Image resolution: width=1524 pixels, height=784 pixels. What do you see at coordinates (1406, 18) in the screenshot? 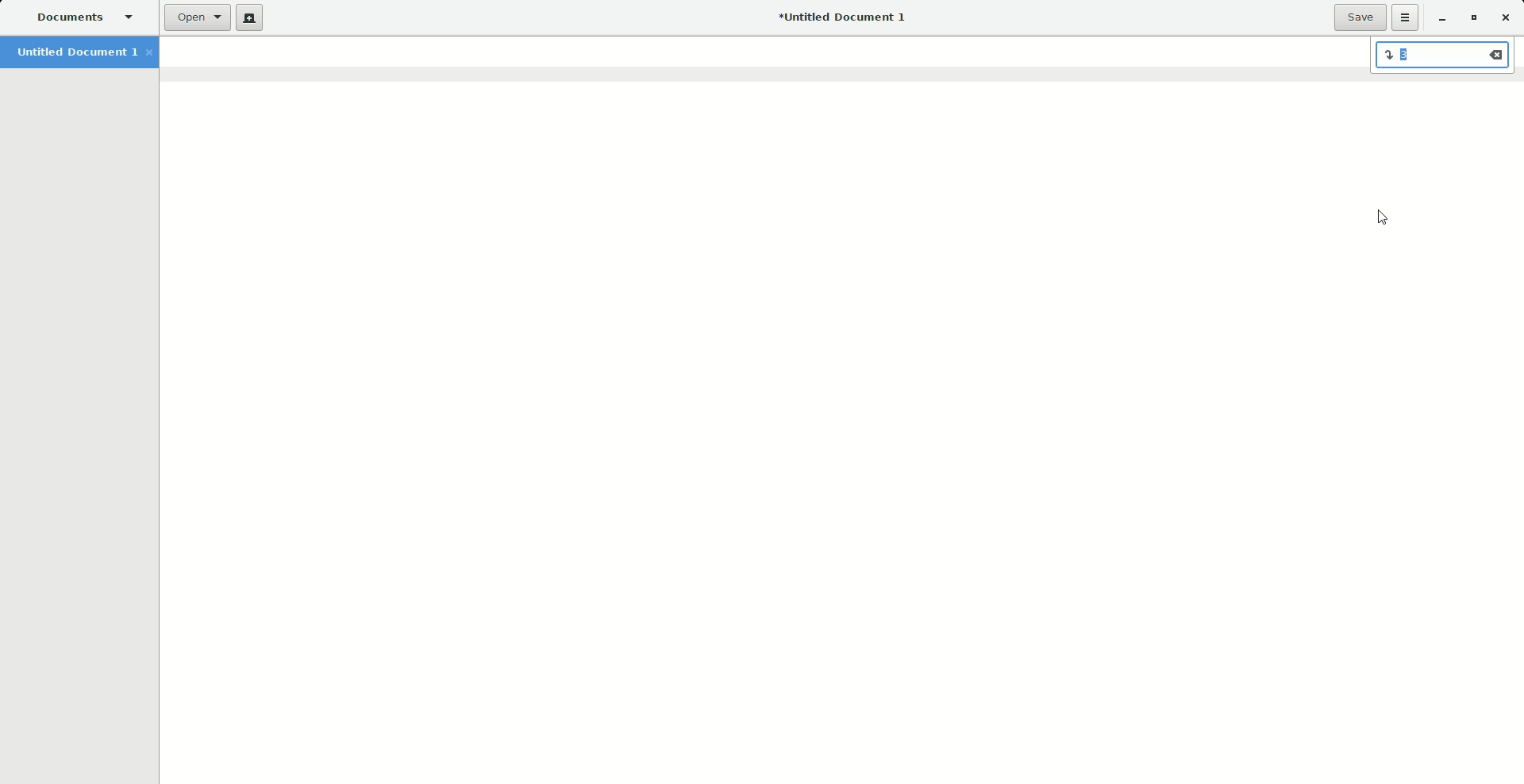
I see `Options` at bounding box center [1406, 18].